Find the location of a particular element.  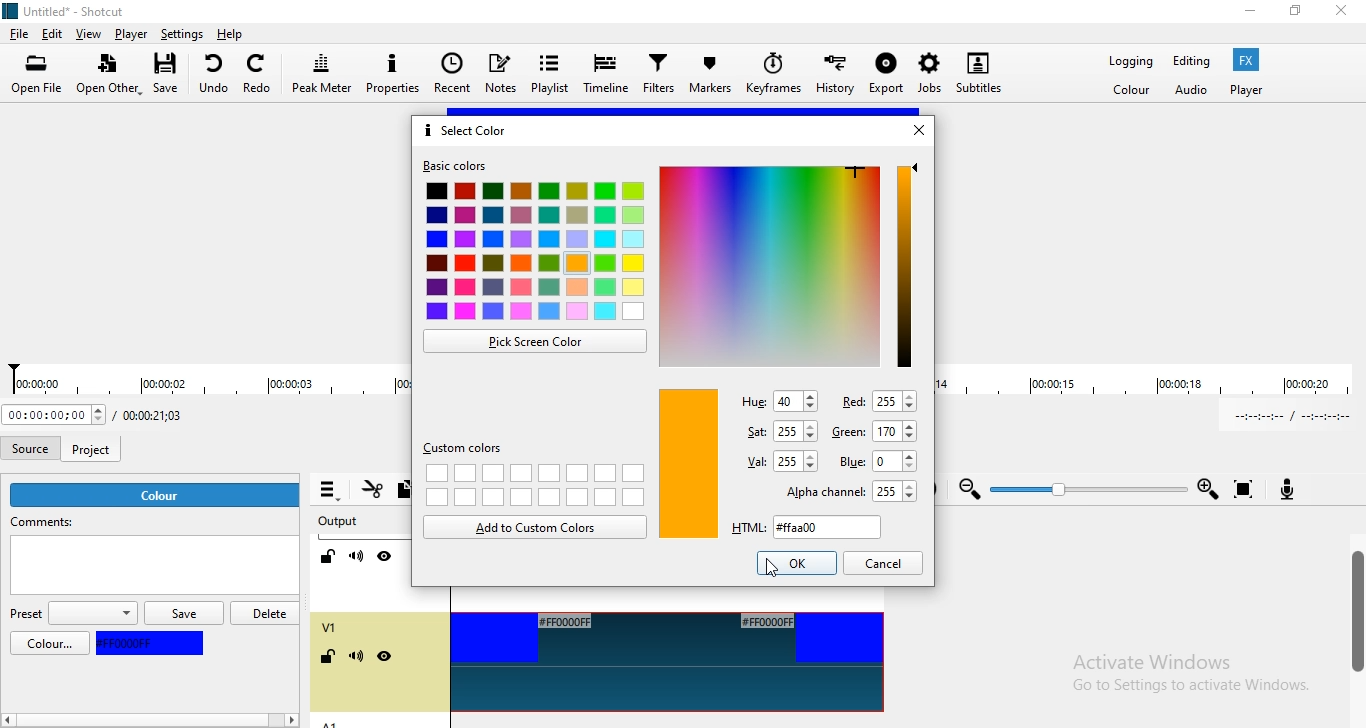

In point is located at coordinates (1287, 416).